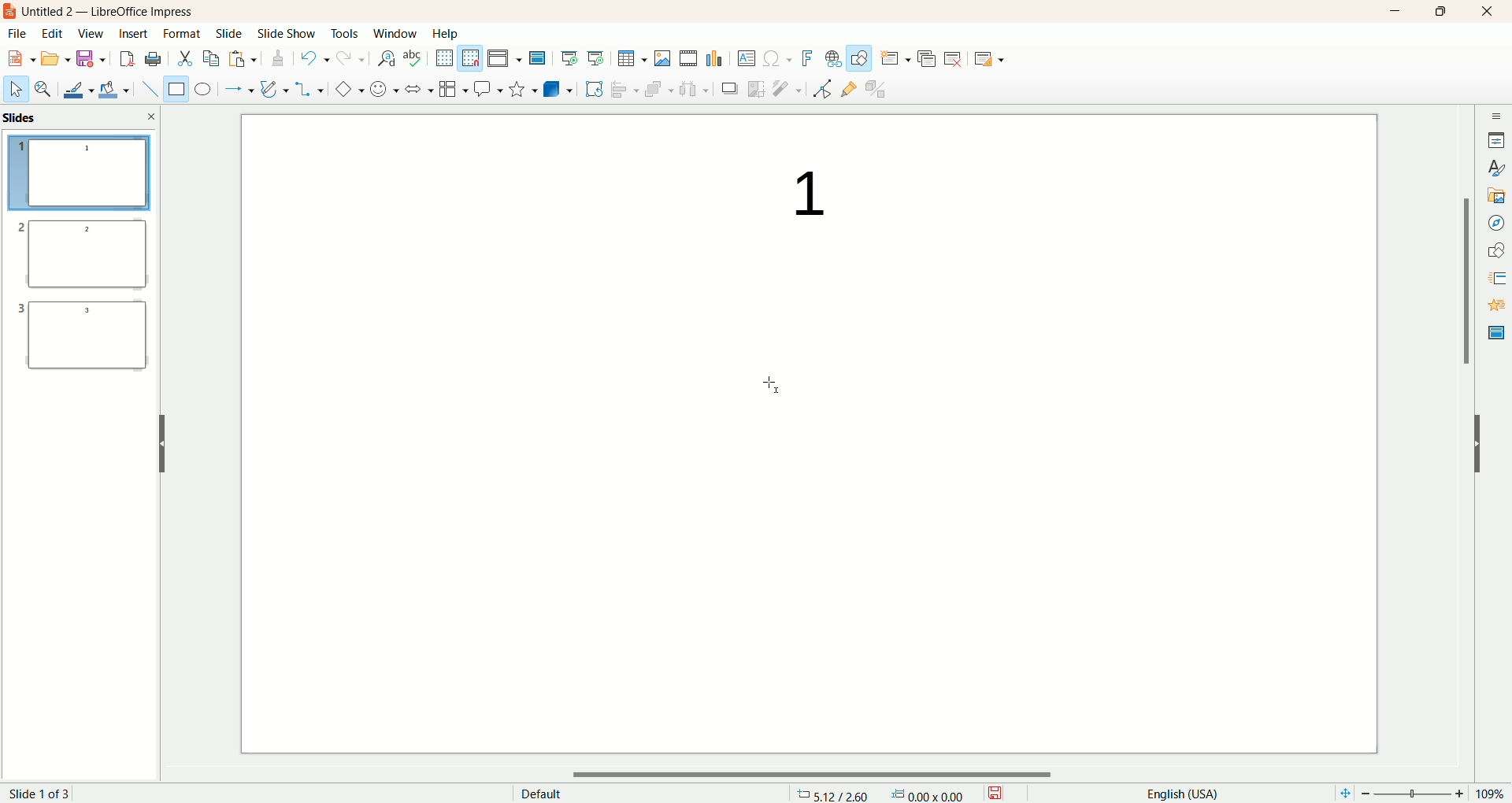  What do you see at coordinates (10, 13) in the screenshot?
I see `logo` at bounding box center [10, 13].